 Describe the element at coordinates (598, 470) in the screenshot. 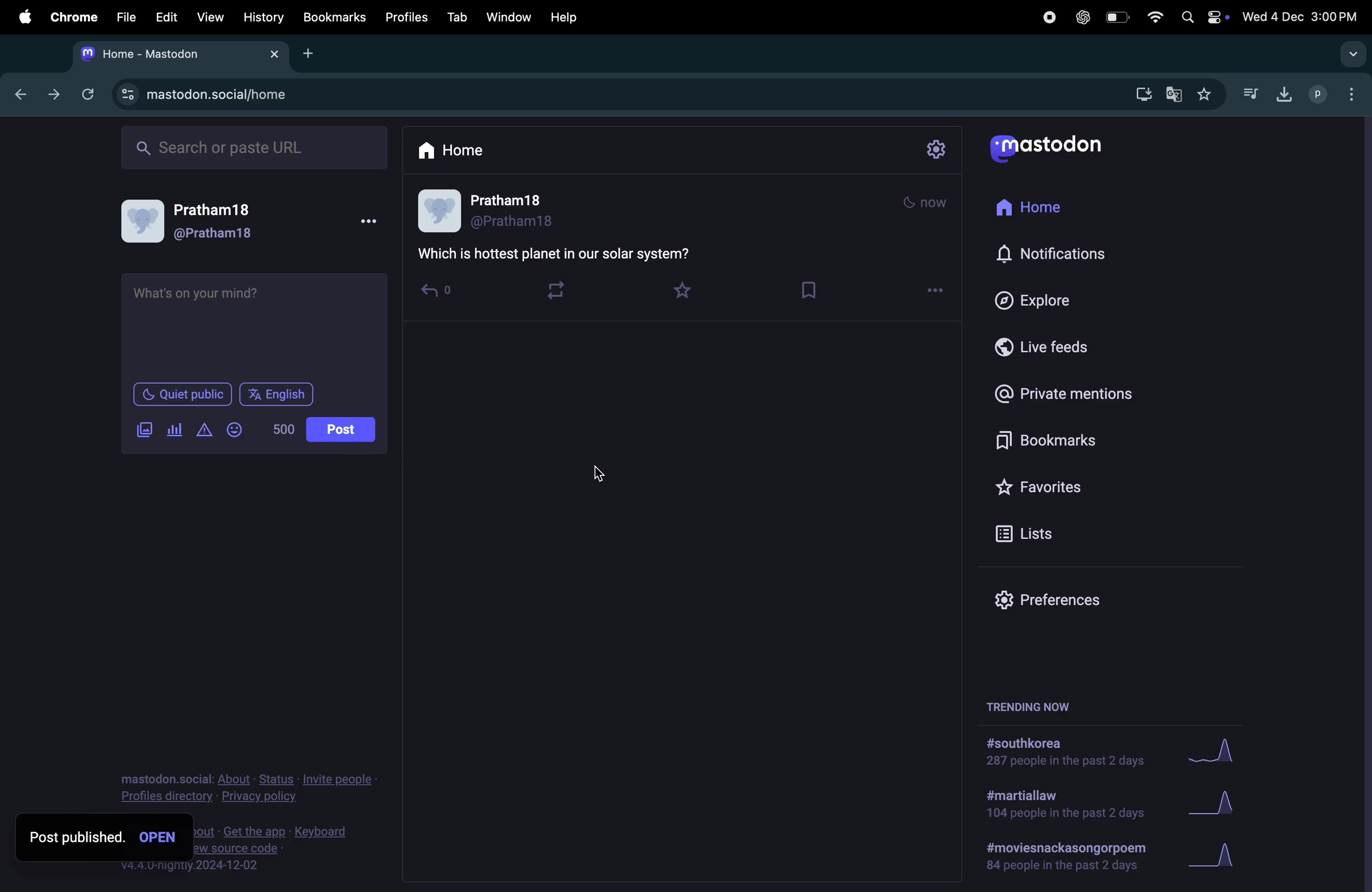

I see `cursor` at that location.